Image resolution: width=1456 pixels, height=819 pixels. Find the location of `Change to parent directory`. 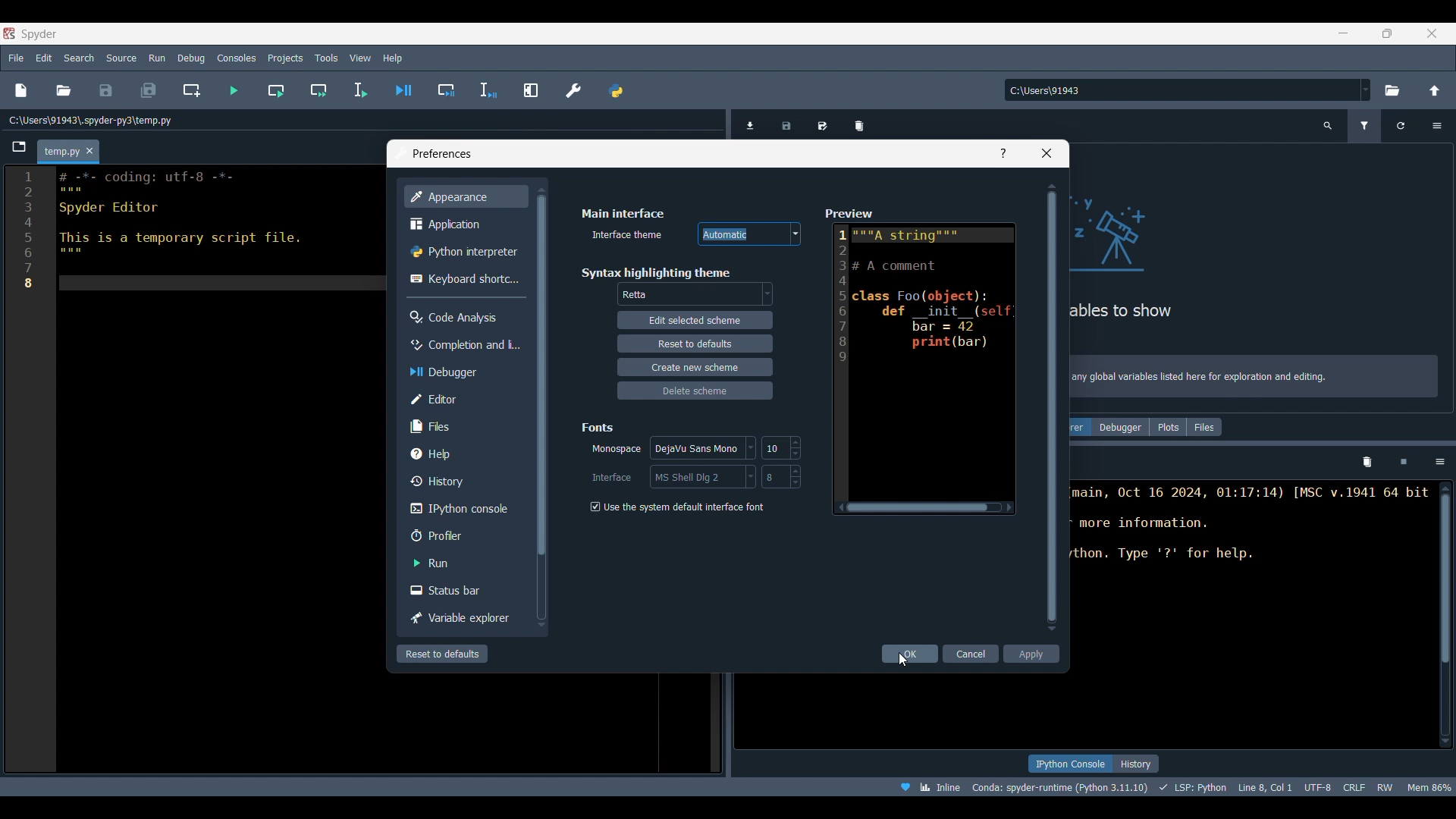

Change to parent directory is located at coordinates (1435, 90).